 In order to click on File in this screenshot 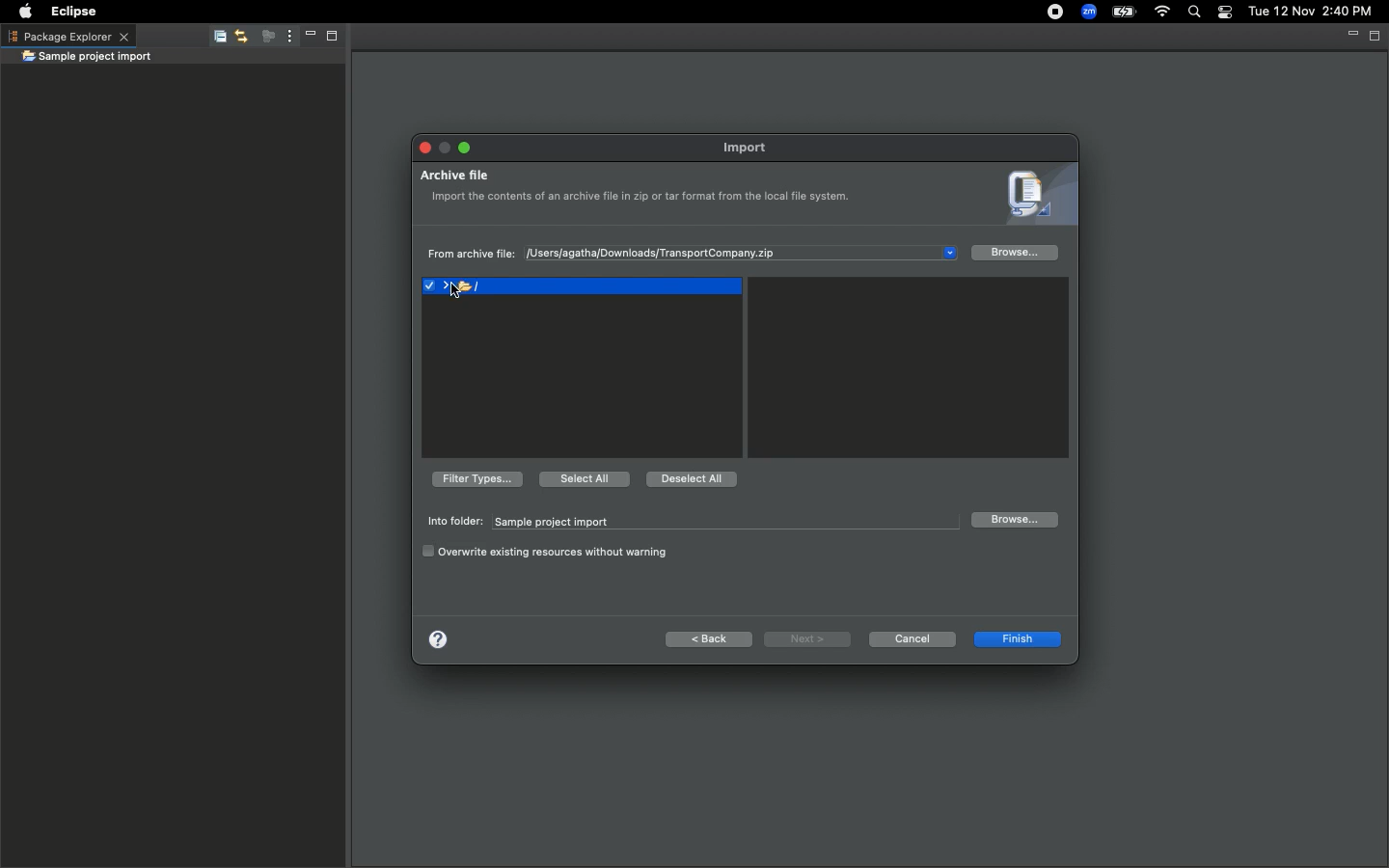, I will do `click(581, 288)`.